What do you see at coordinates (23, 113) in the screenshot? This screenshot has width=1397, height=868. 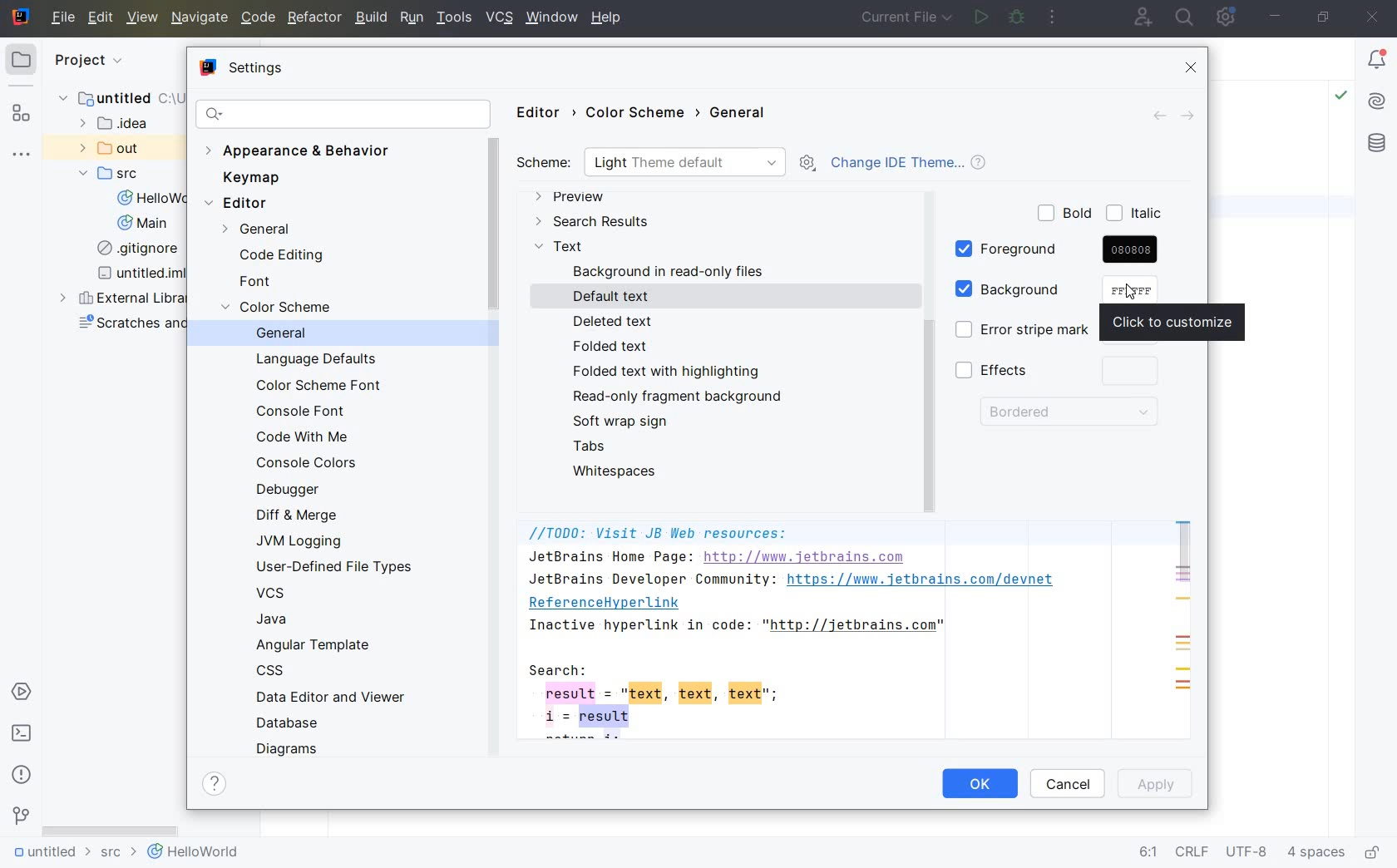 I see `structure` at bounding box center [23, 113].